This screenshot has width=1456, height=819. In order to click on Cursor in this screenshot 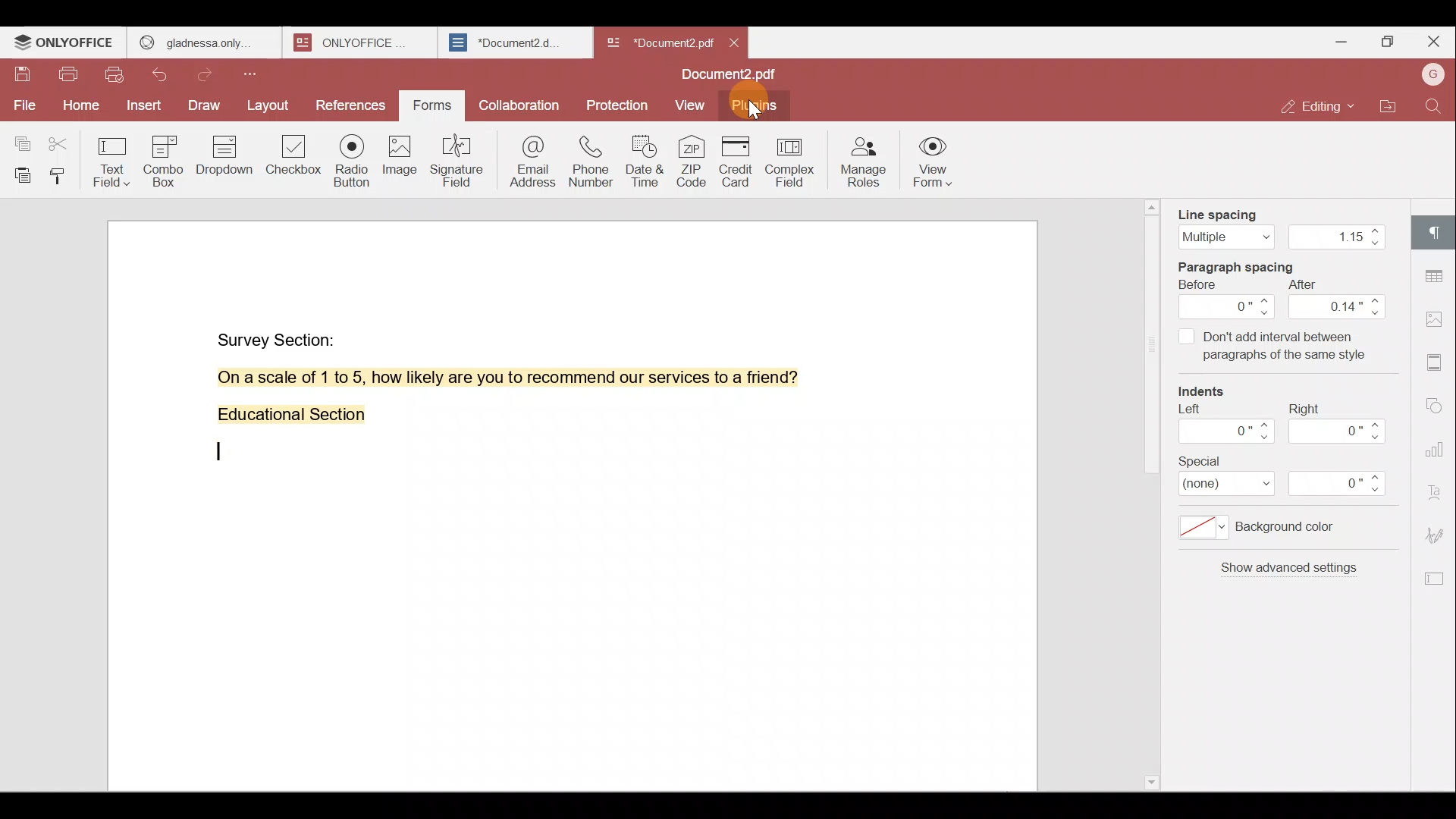, I will do `click(755, 111)`.